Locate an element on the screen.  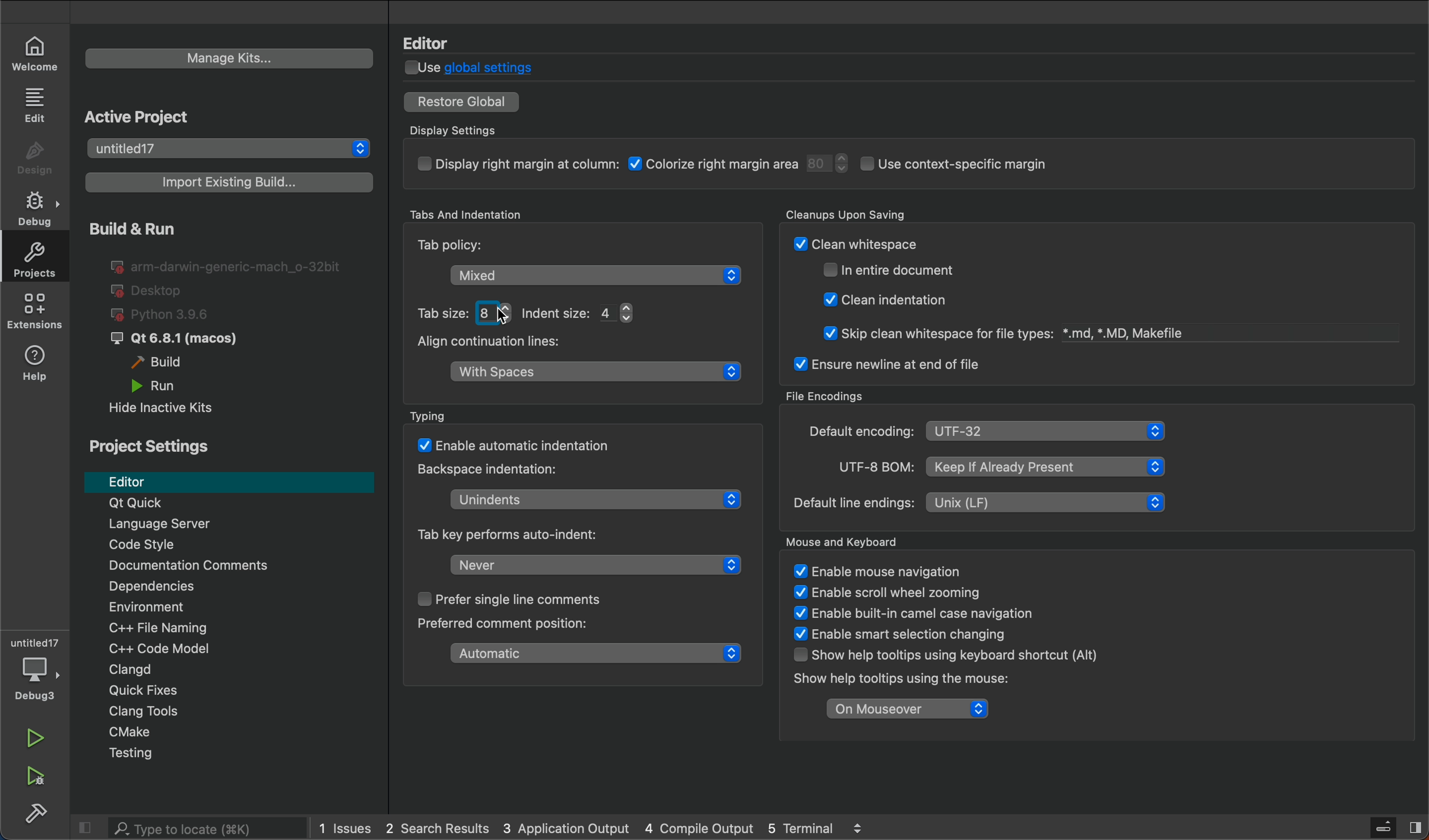
show help tootlips is located at coordinates (894, 681).